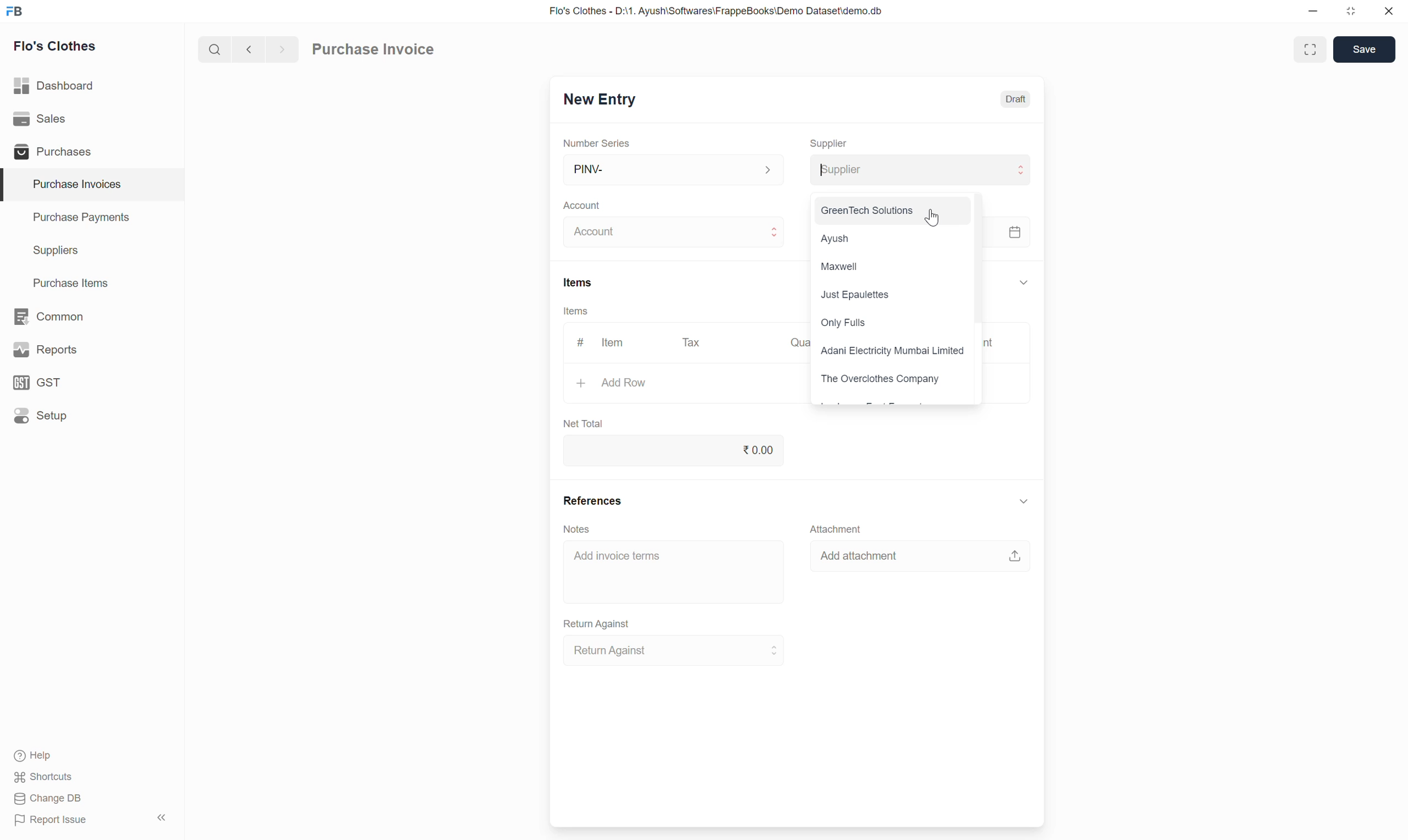  I want to click on The Overclothes Company, so click(895, 377).